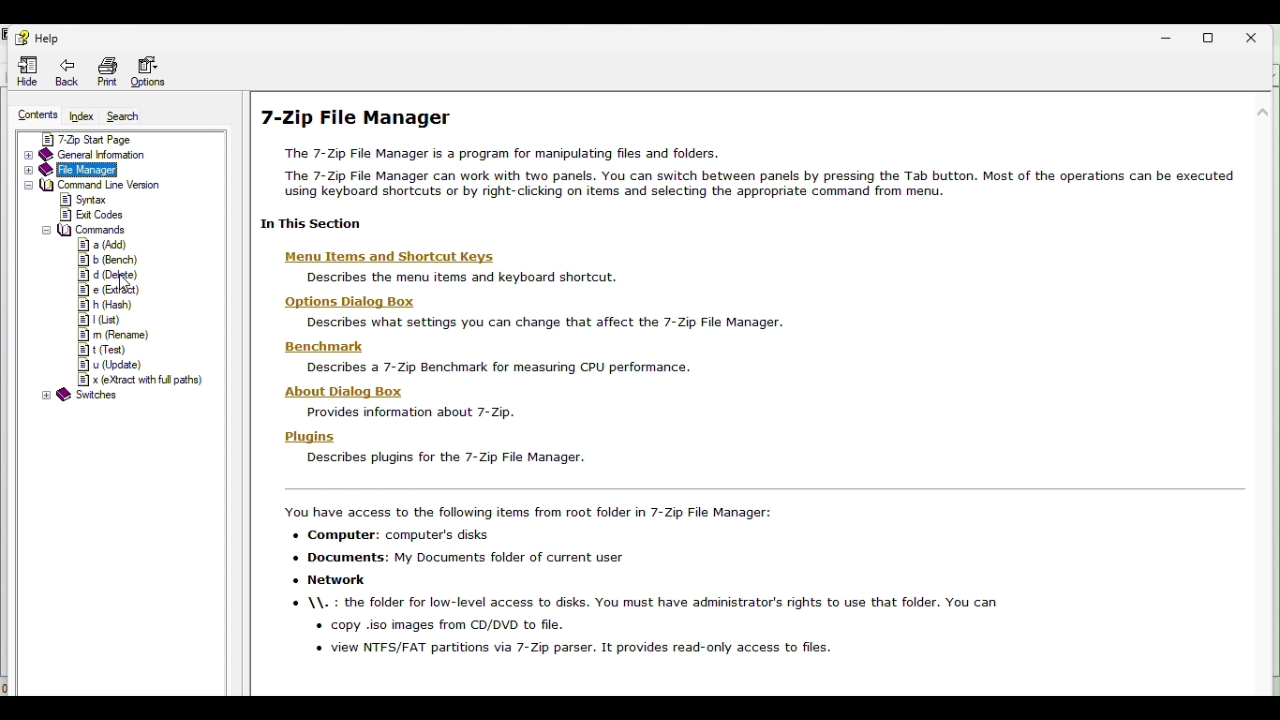 Image resolution: width=1280 pixels, height=720 pixels. Describe the element at coordinates (104, 349) in the screenshot. I see `t` at that location.